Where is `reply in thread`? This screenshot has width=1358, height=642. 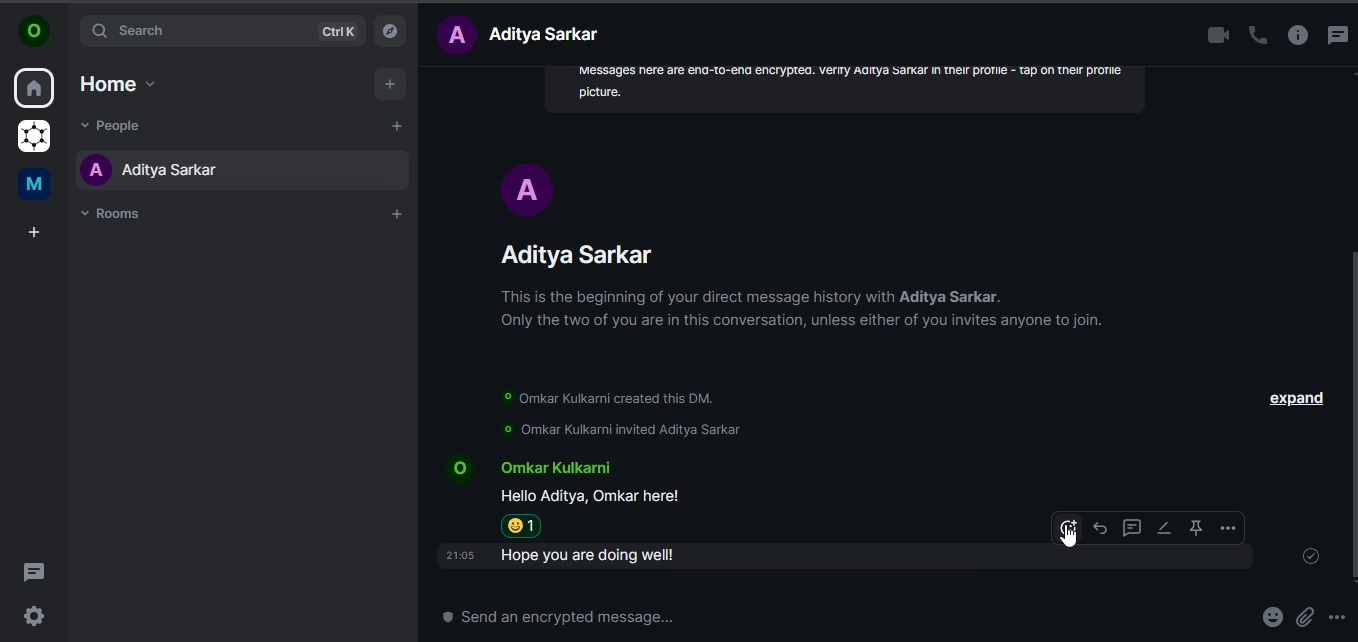
reply in thread is located at coordinates (1130, 526).